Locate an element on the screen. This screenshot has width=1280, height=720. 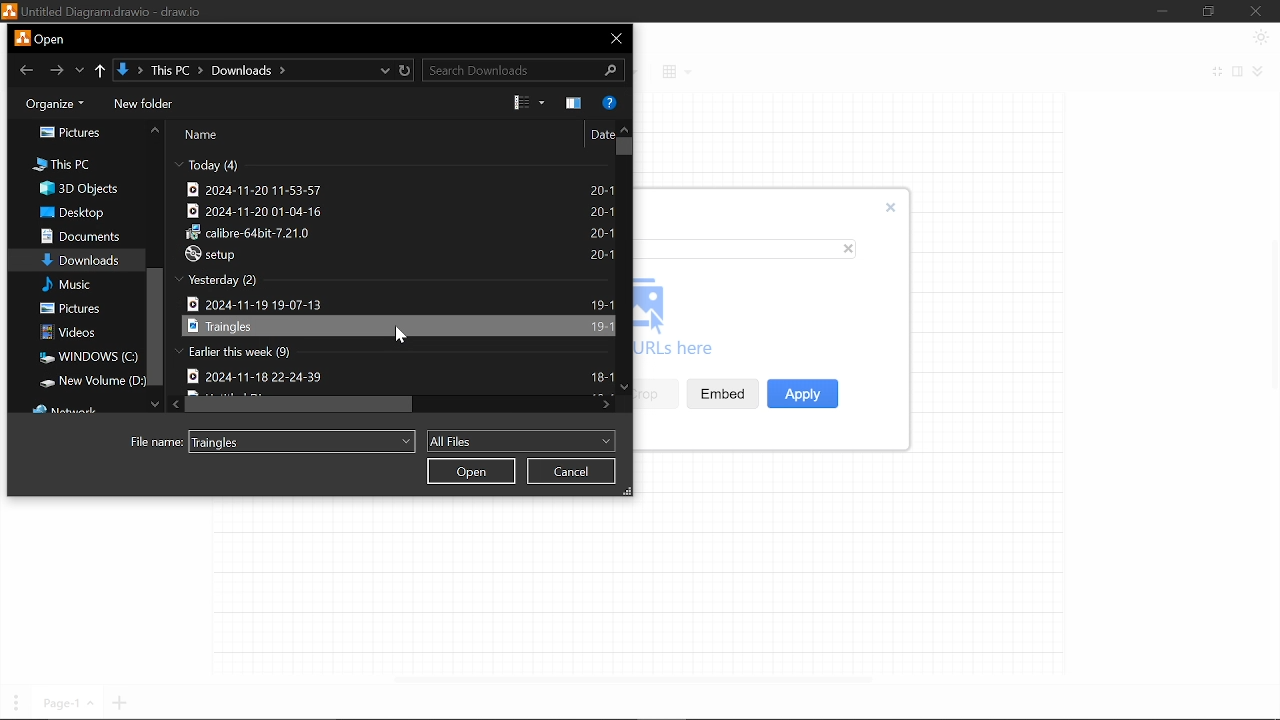
Restore down is located at coordinates (1209, 12).